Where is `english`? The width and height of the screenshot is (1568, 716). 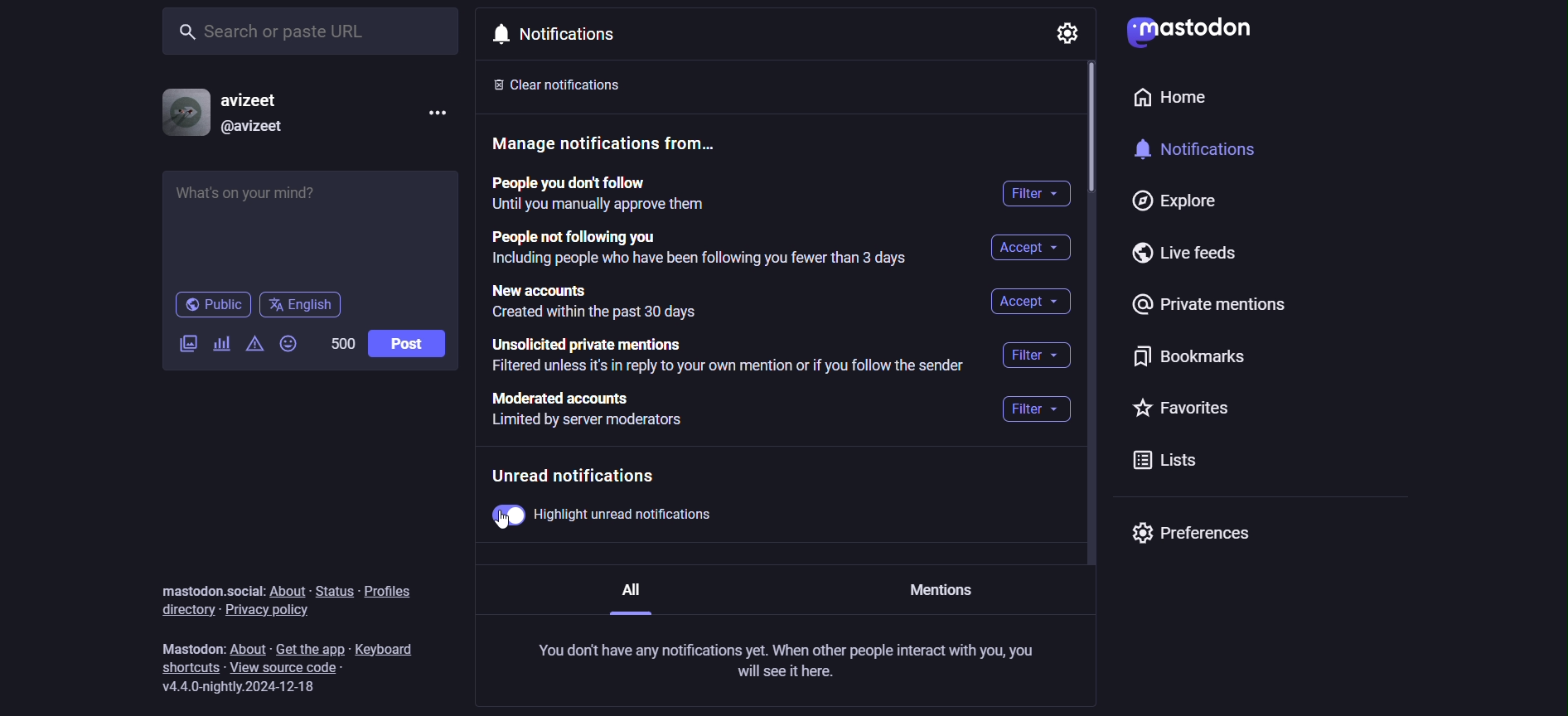
english is located at coordinates (302, 305).